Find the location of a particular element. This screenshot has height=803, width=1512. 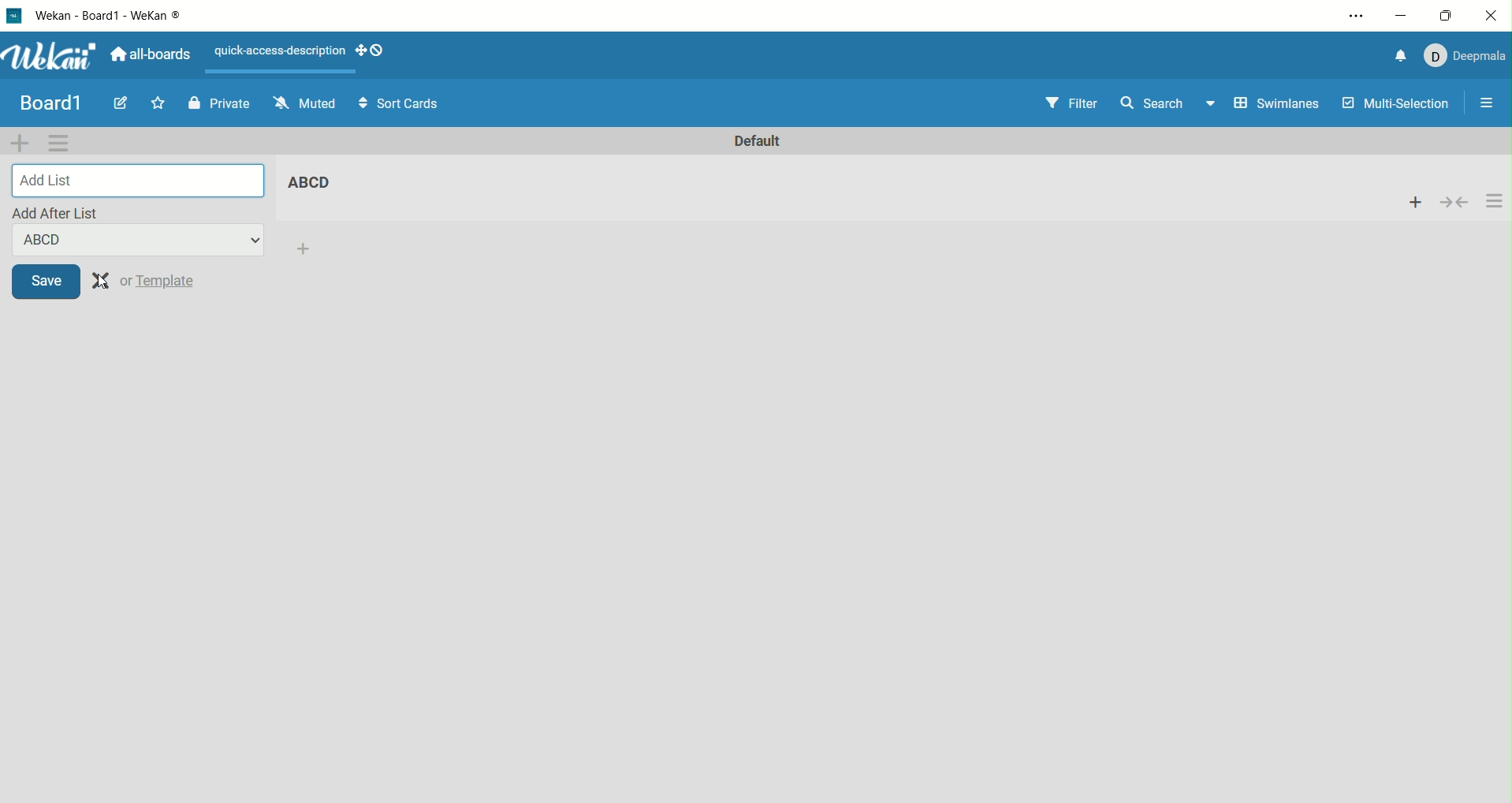

add list is located at coordinates (307, 247).